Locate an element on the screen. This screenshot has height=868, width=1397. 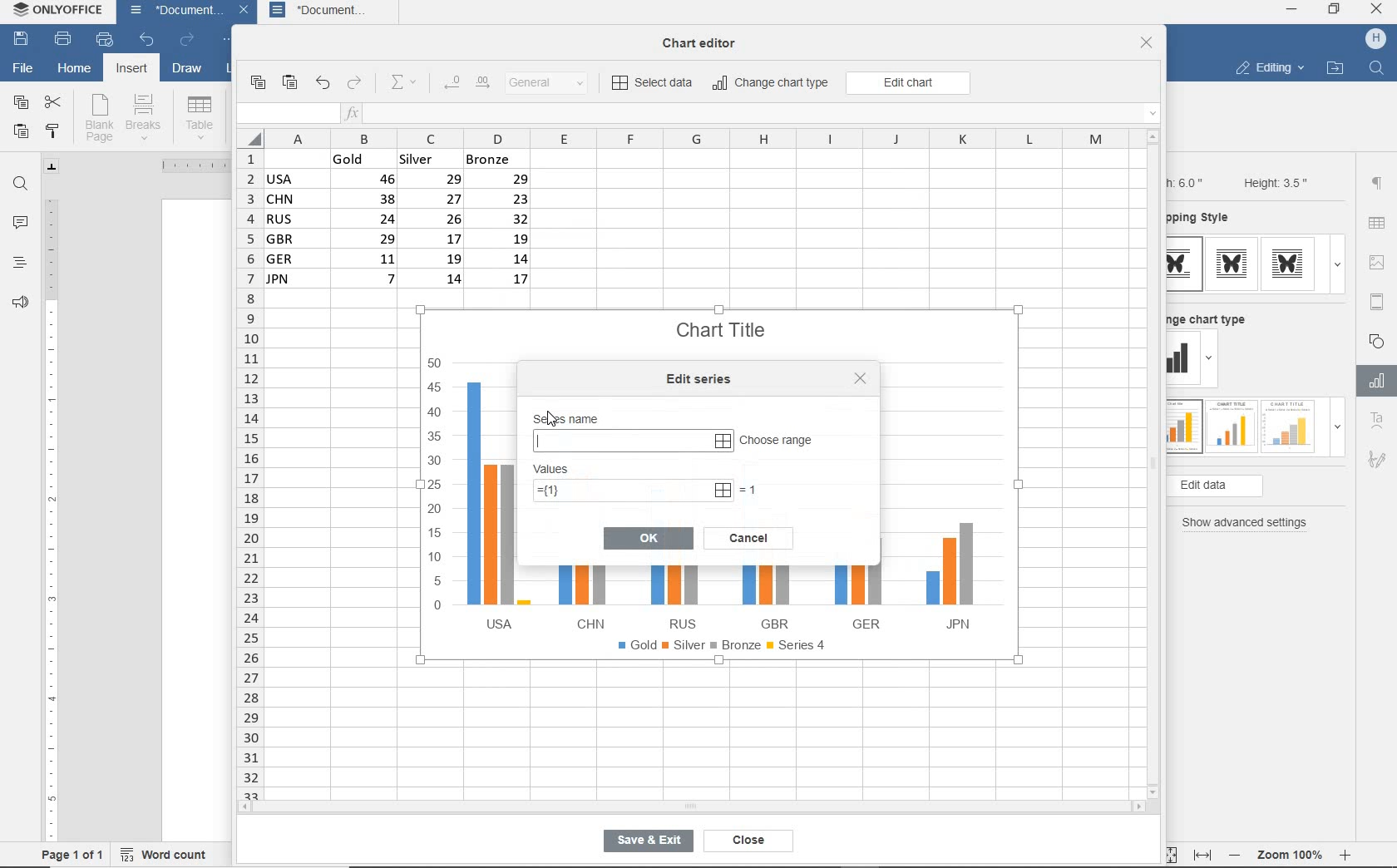
restore down is located at coordinates (1335, 11).